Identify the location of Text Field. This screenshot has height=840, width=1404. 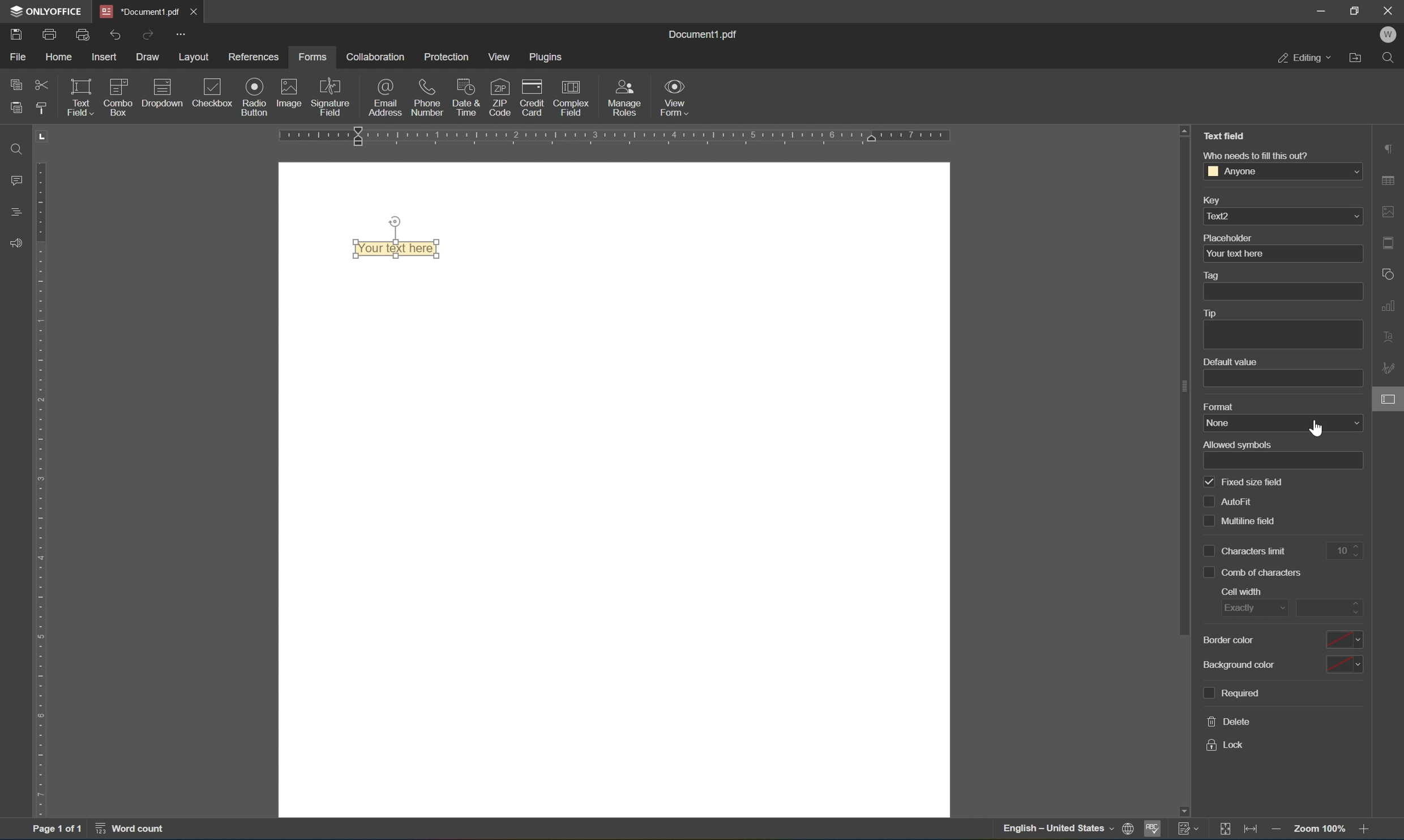
(1226, 136).